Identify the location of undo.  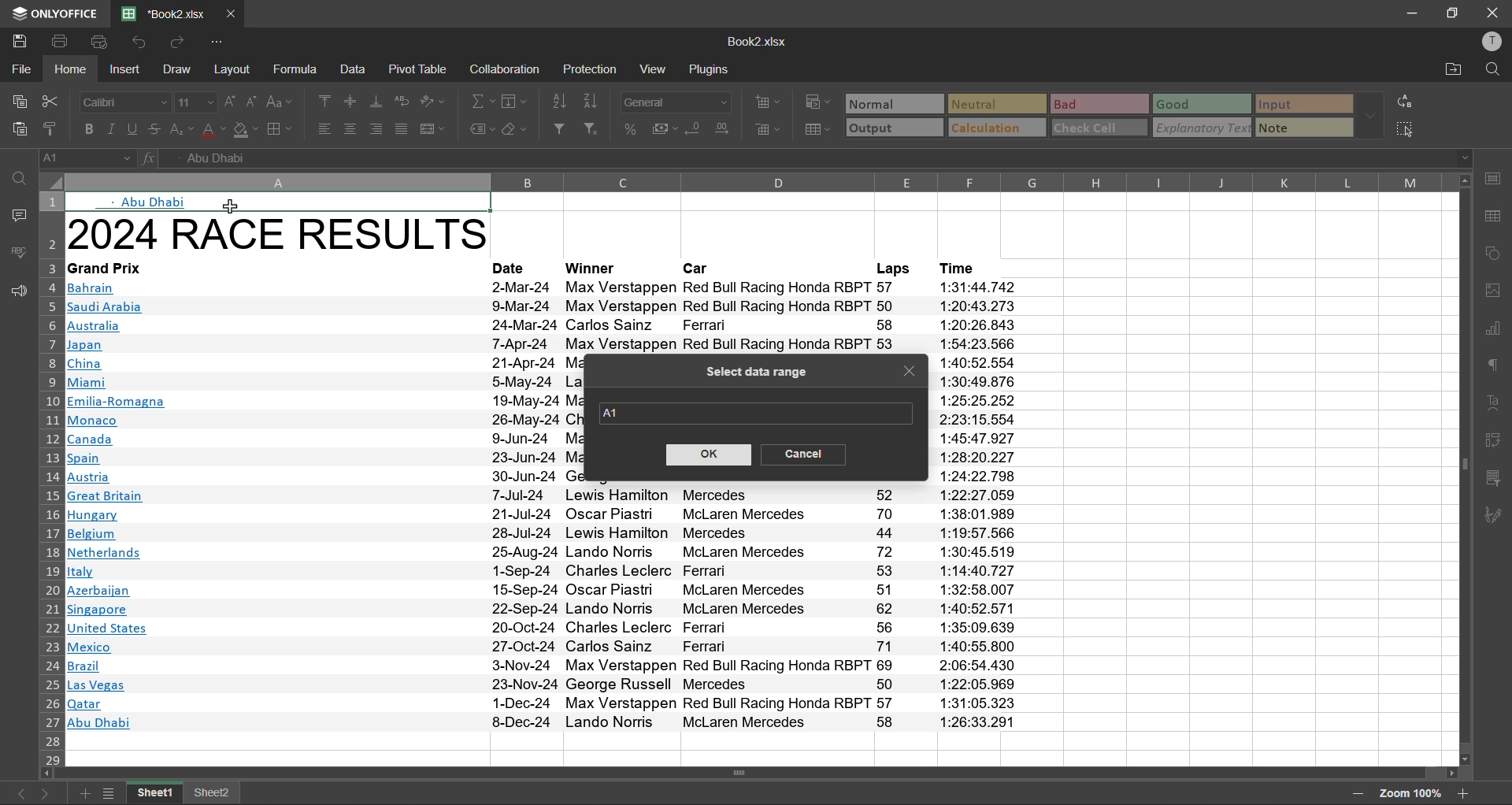
(139, 42).